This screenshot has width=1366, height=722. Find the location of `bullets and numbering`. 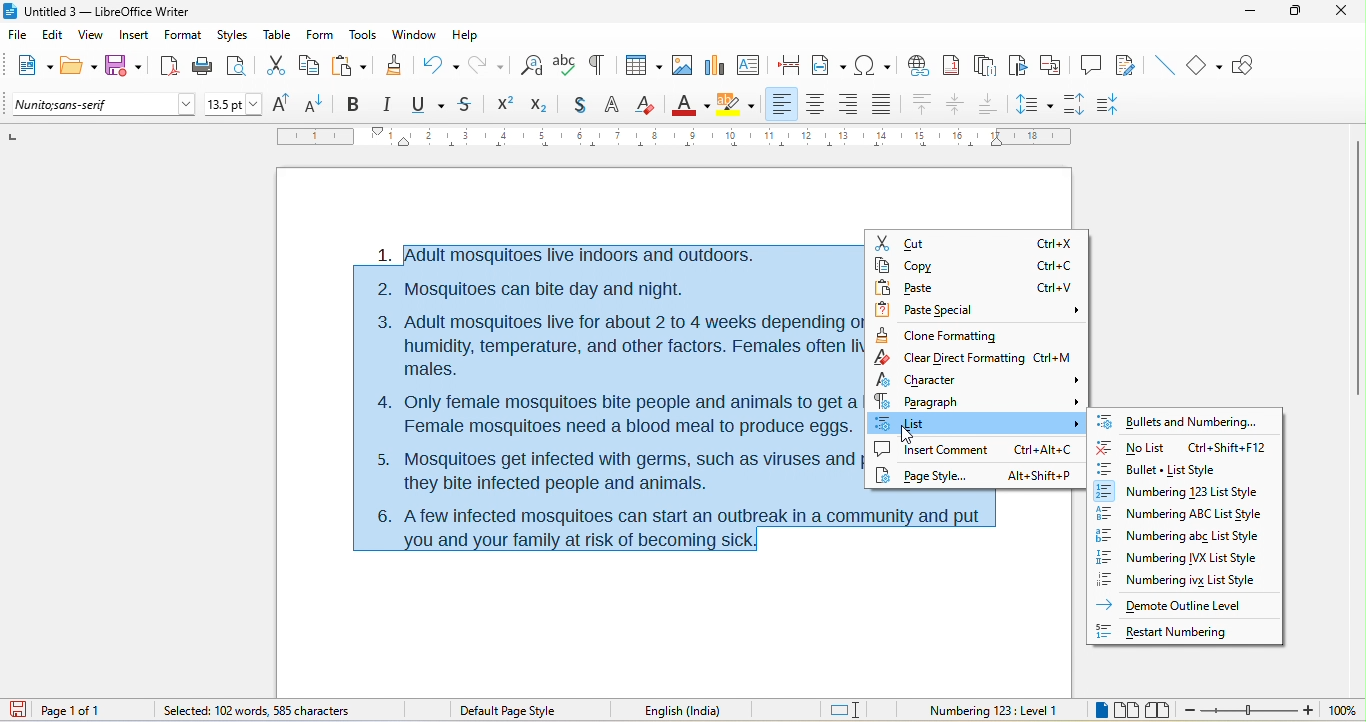

bullets and numbering is located at coordinates (1181, 419).